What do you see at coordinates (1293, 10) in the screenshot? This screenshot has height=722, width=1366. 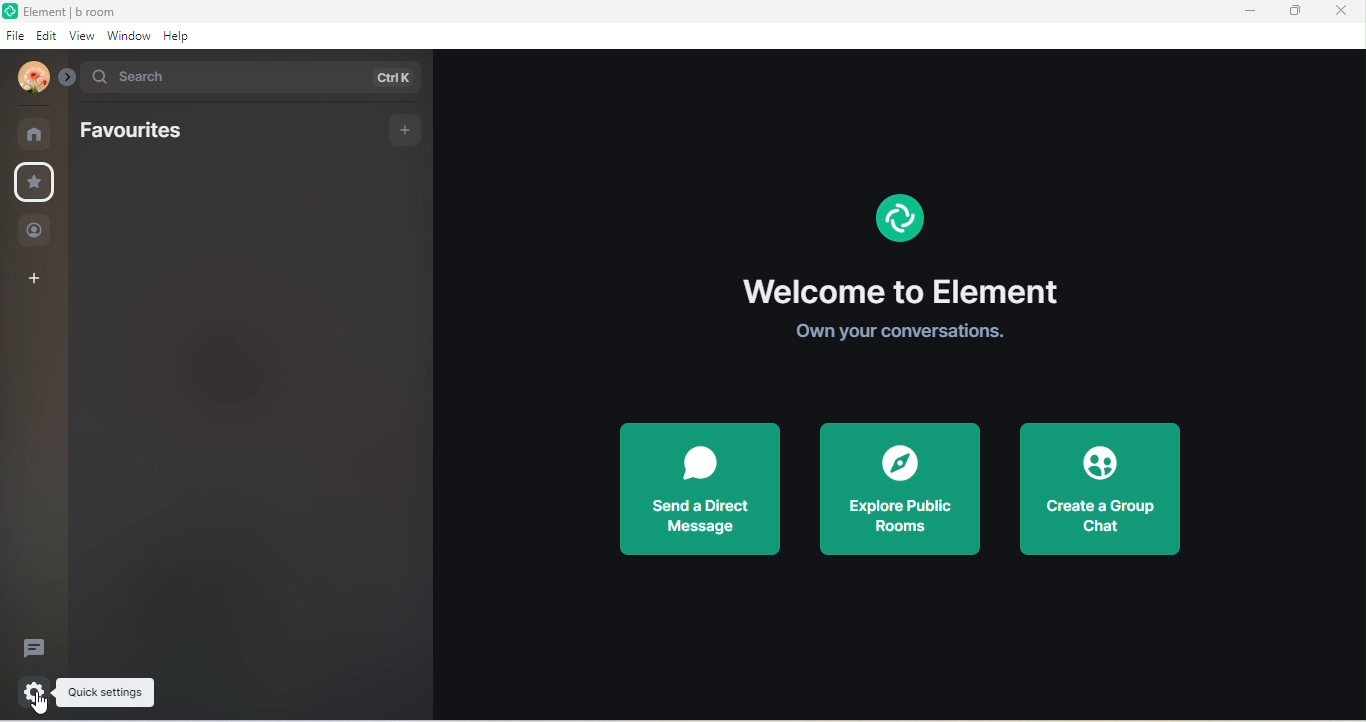 I see `maximize` at bounding box center [1293, 10].